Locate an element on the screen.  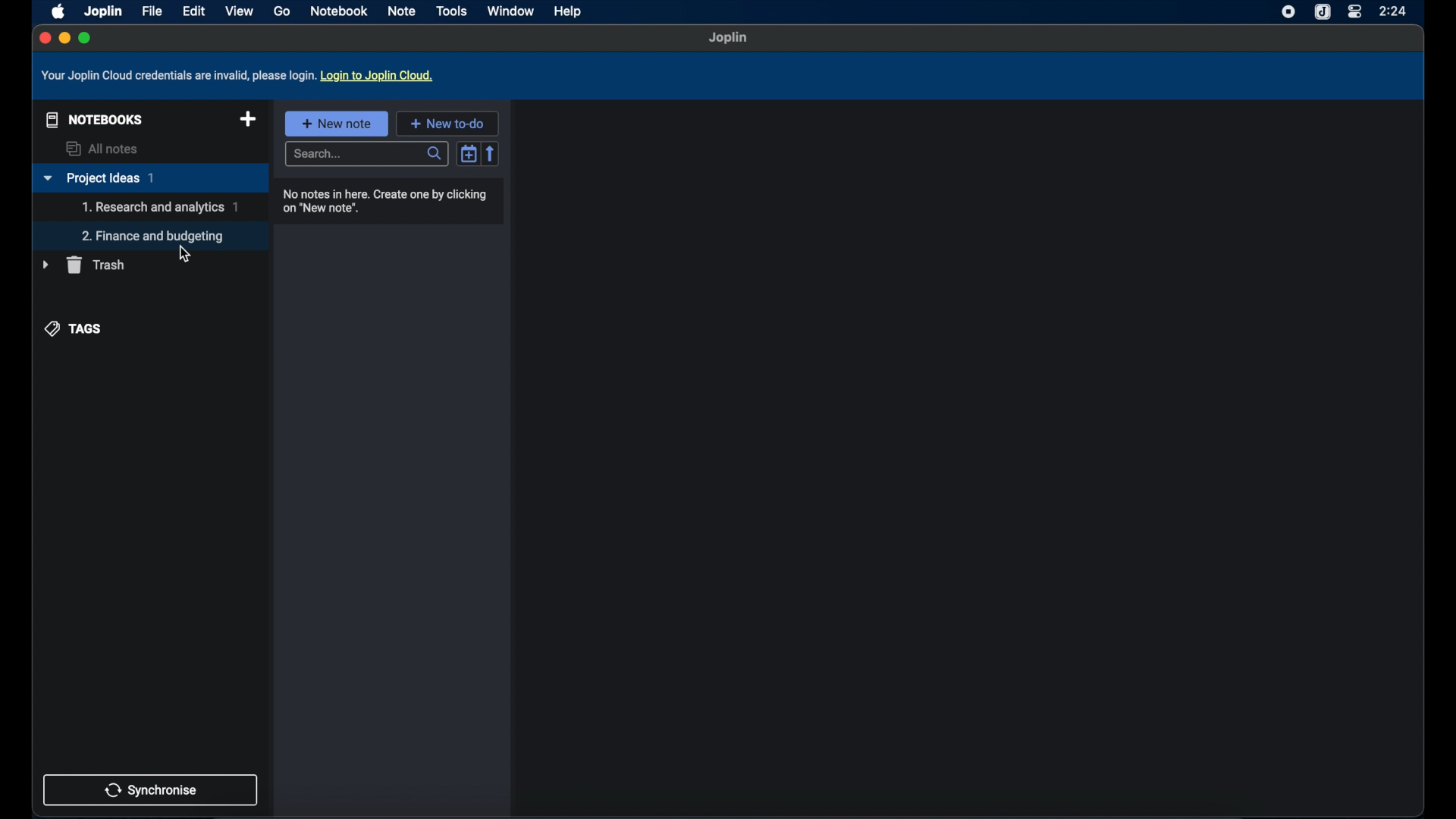
joplin icon is located at coordinates (1323, 12).